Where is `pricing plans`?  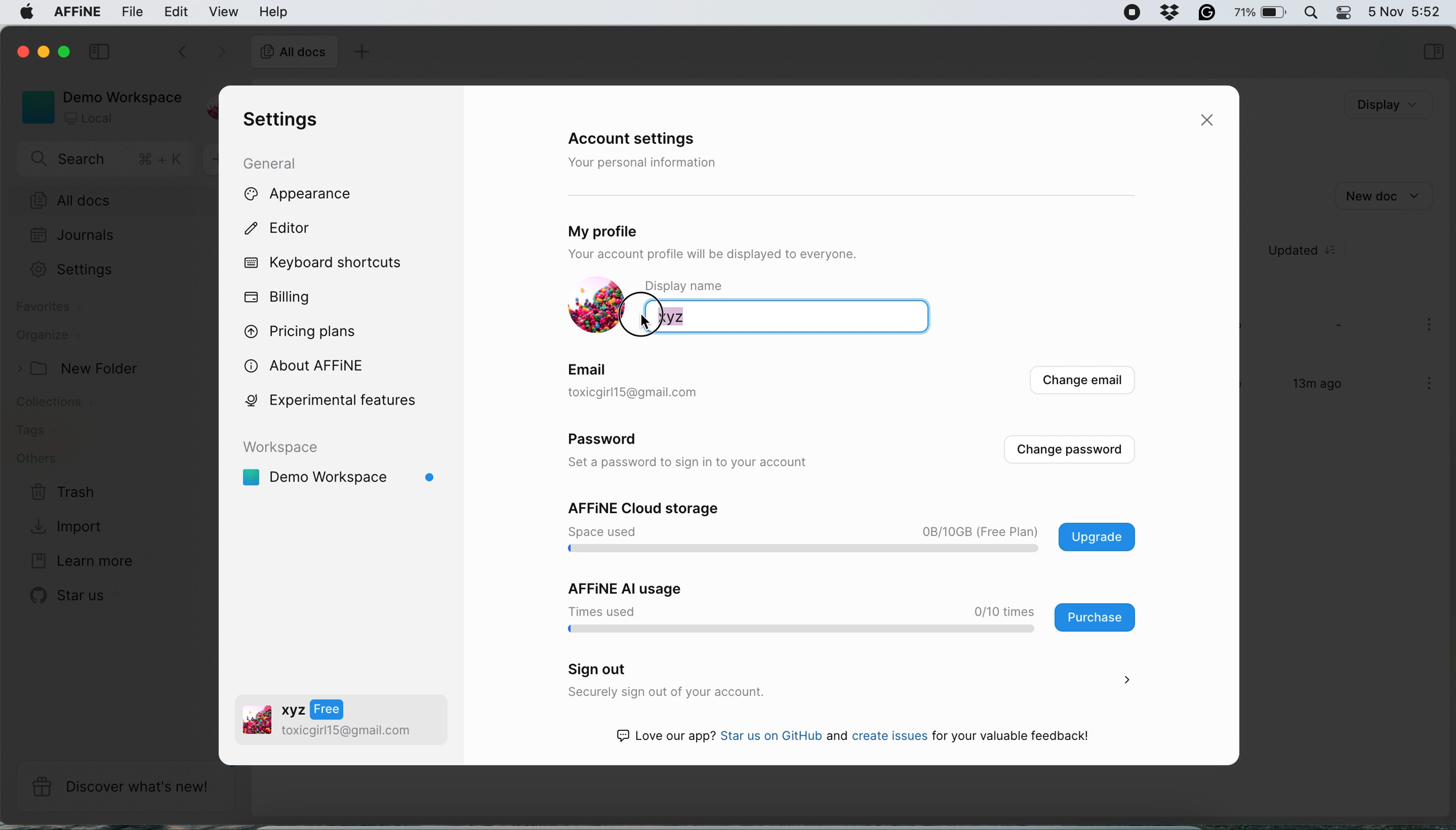 pricing plans is located at coordinates (308, 329).